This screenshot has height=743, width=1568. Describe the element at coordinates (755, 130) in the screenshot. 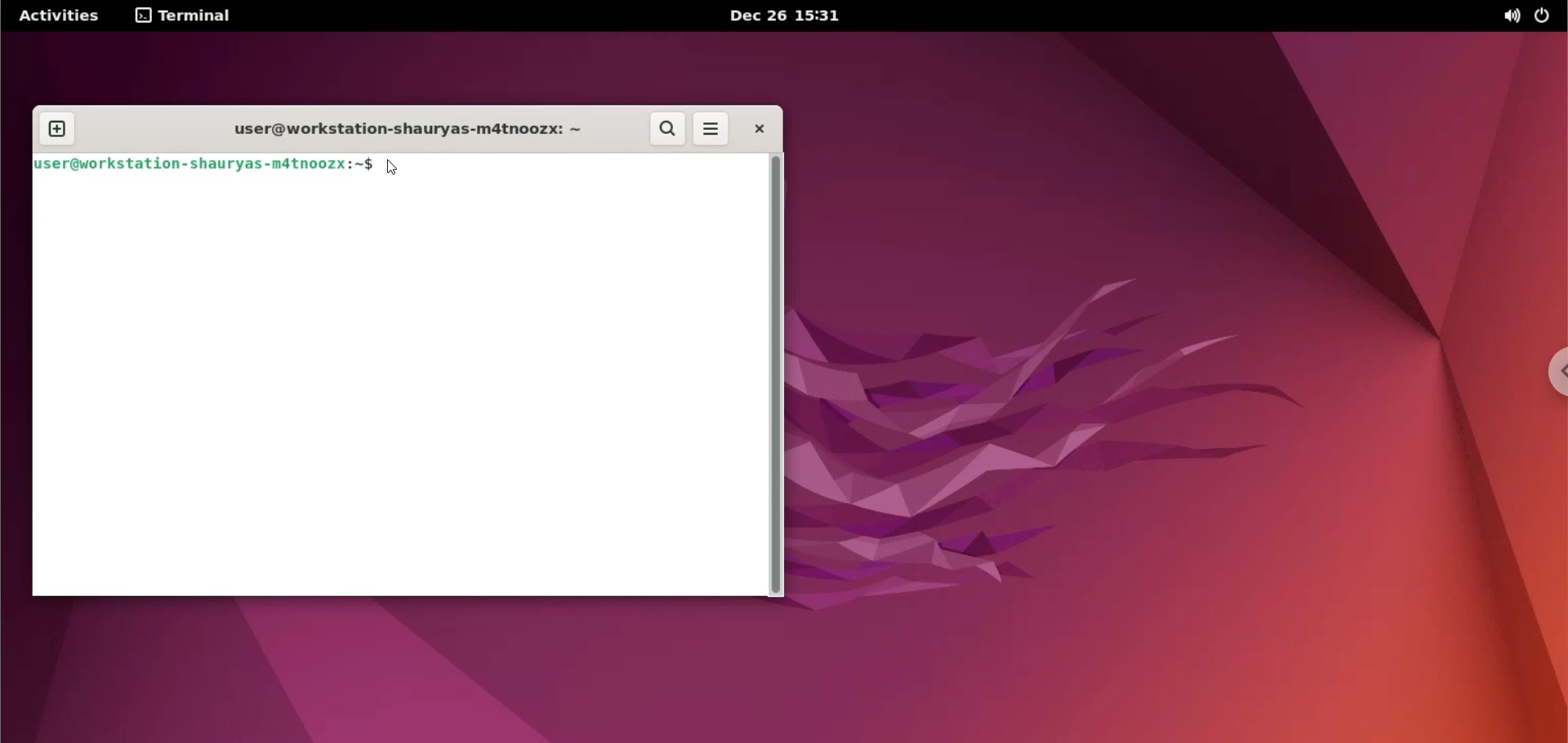

I see `close` at that location.